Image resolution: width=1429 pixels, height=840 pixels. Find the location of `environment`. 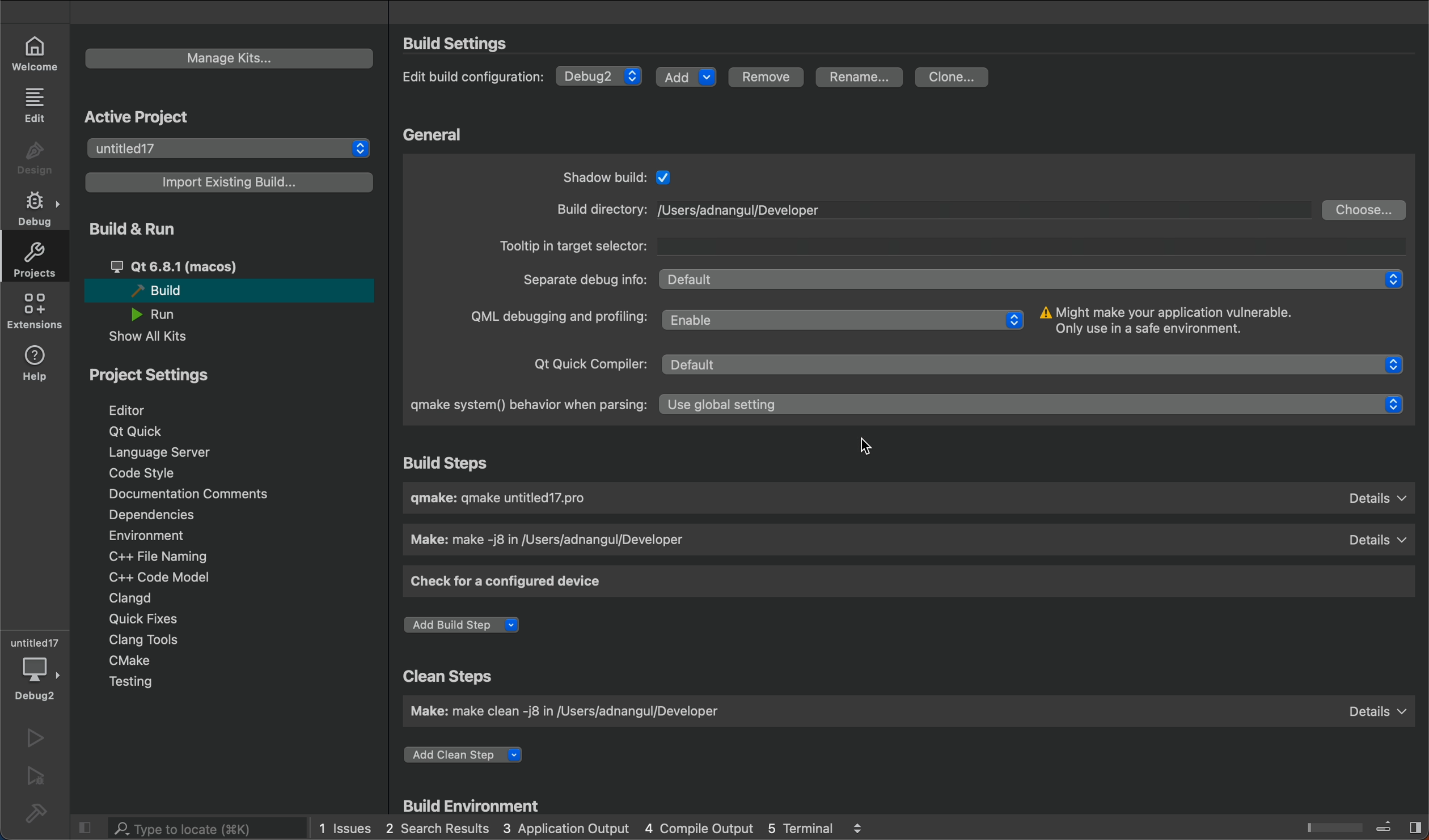

environment is located at coordinates (163, 534).